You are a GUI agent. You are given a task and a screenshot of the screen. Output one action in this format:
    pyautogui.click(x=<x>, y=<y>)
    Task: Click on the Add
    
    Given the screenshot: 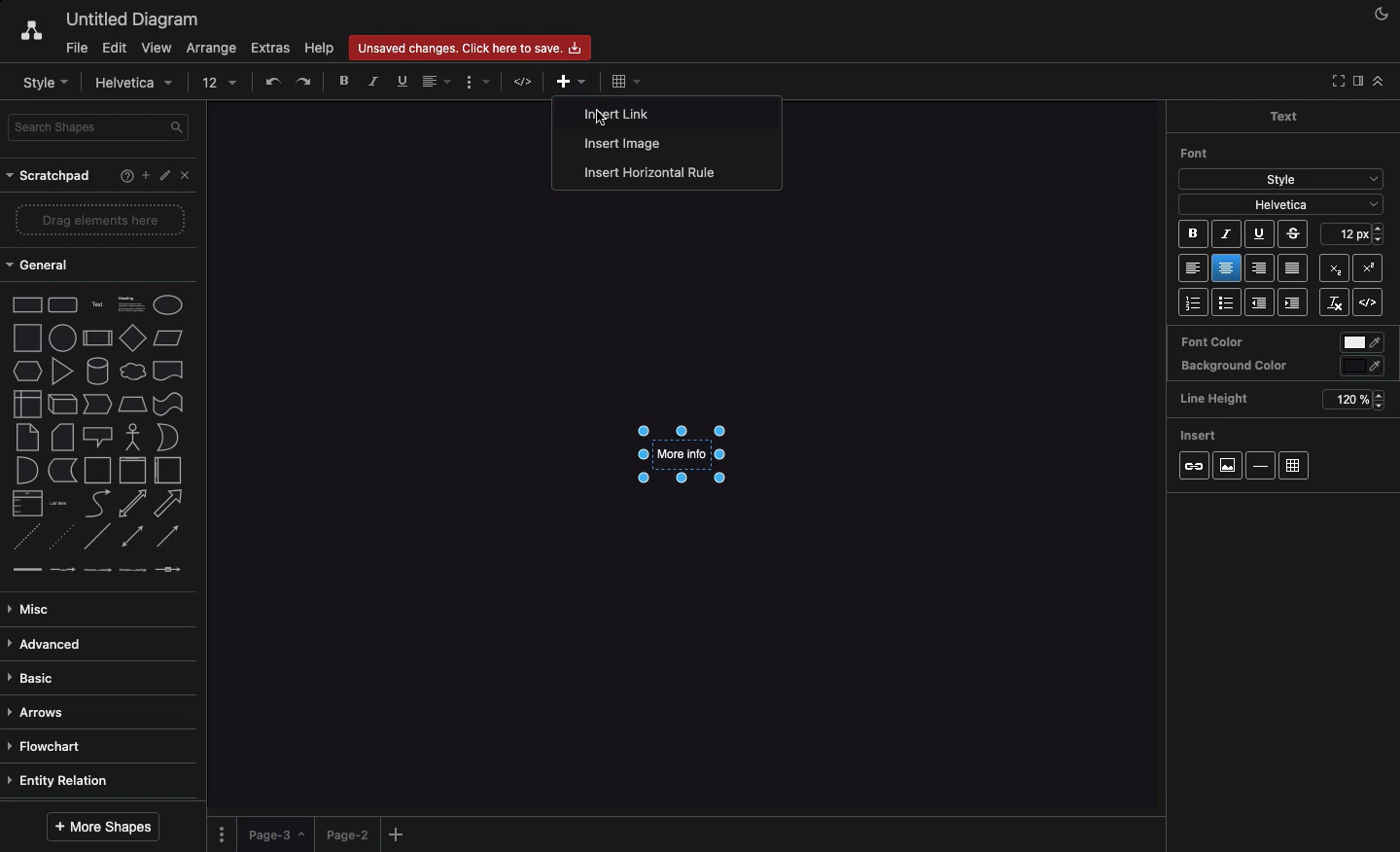 What is the action you would take?
    pyautogui.click(x=145, y=174)
    